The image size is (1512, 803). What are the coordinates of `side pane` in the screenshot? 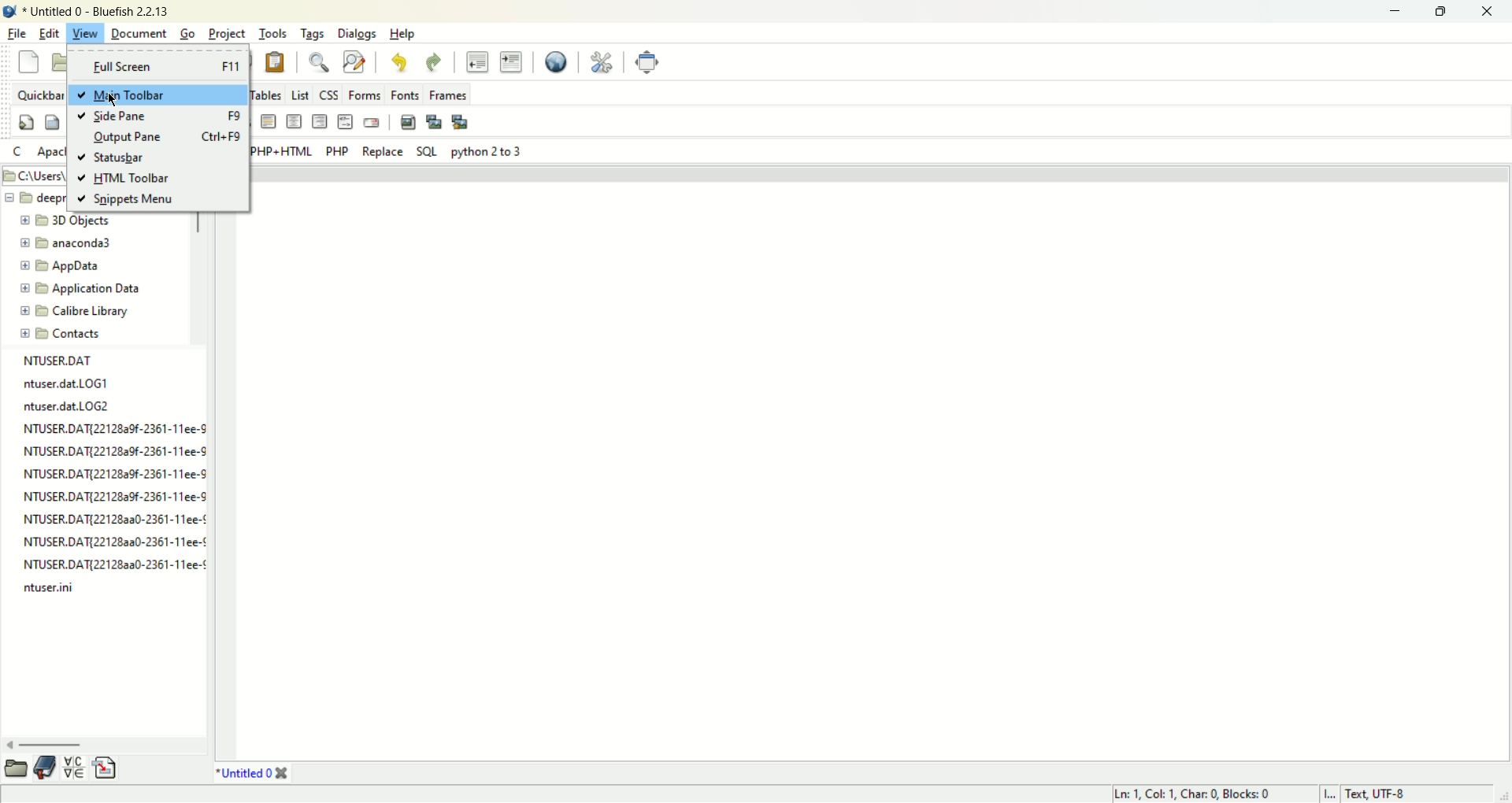 It's located at (157, 117).